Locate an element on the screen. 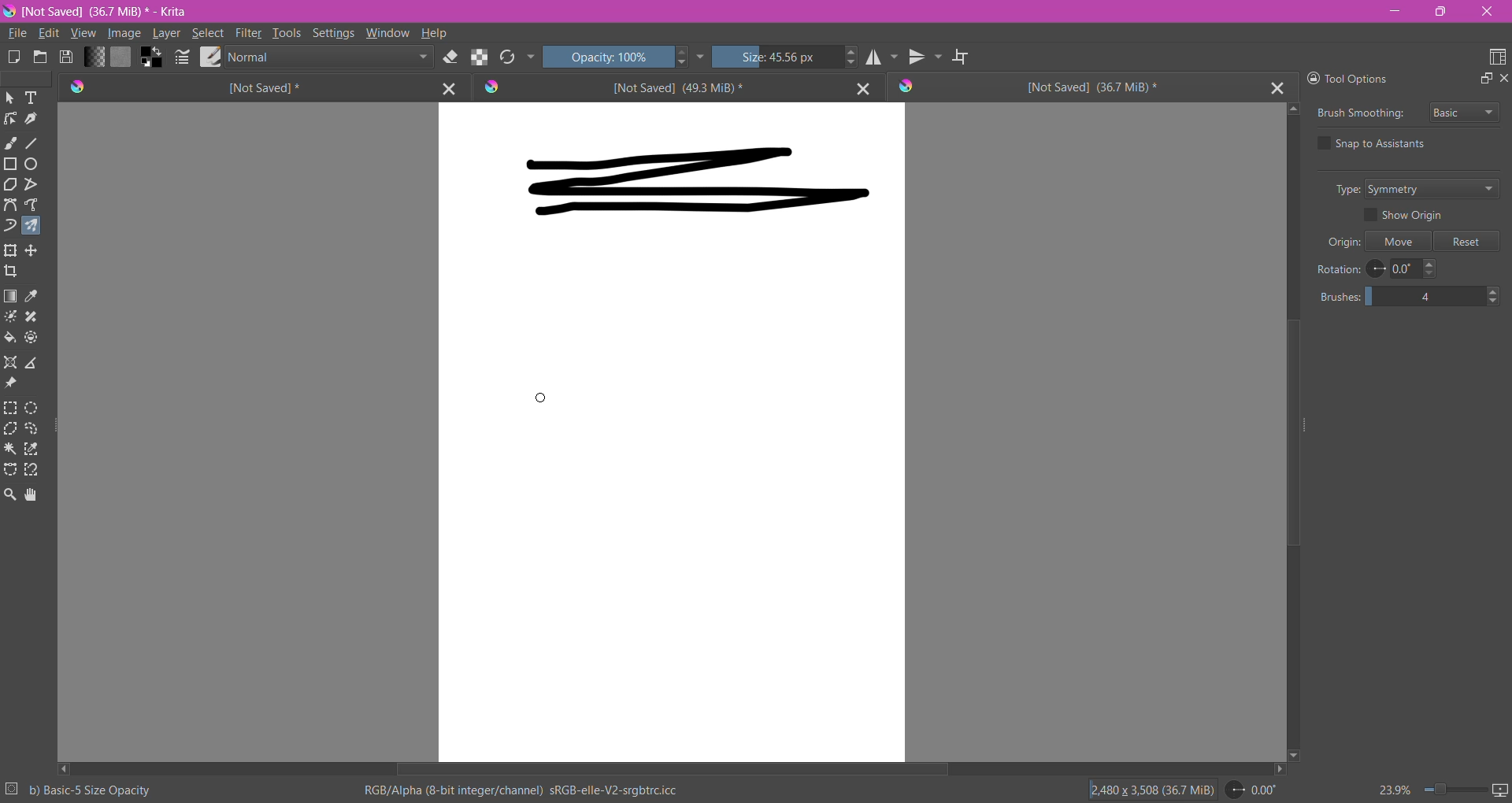 The height and width of the screenshot is (803, 1512). Crop the image to an area is located at coordinates (12, 272).